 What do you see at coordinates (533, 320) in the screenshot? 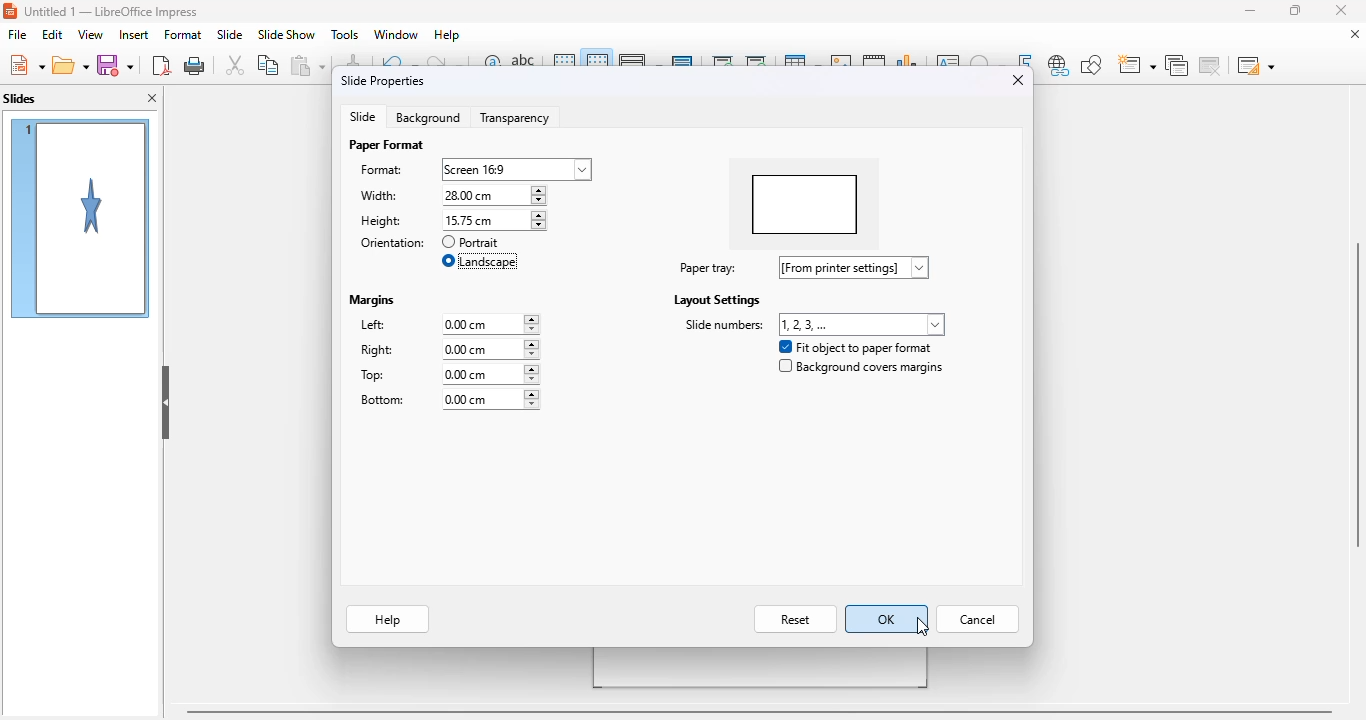
I see `increase left margin` at bounding box center [533, 320].